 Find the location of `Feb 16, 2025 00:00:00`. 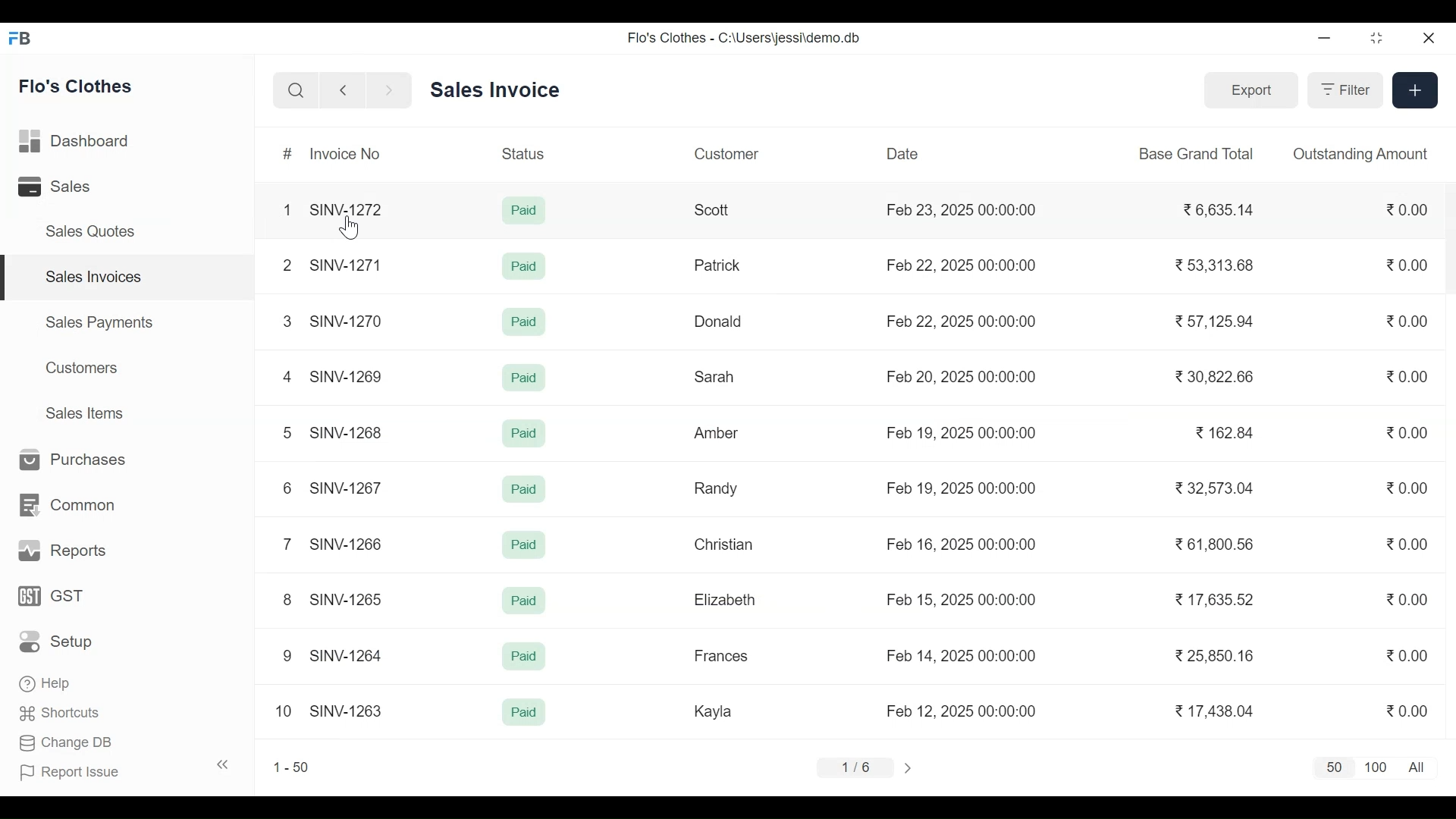

Feb 16, 2025 00:00:00 is located at coordinates (966, 544).